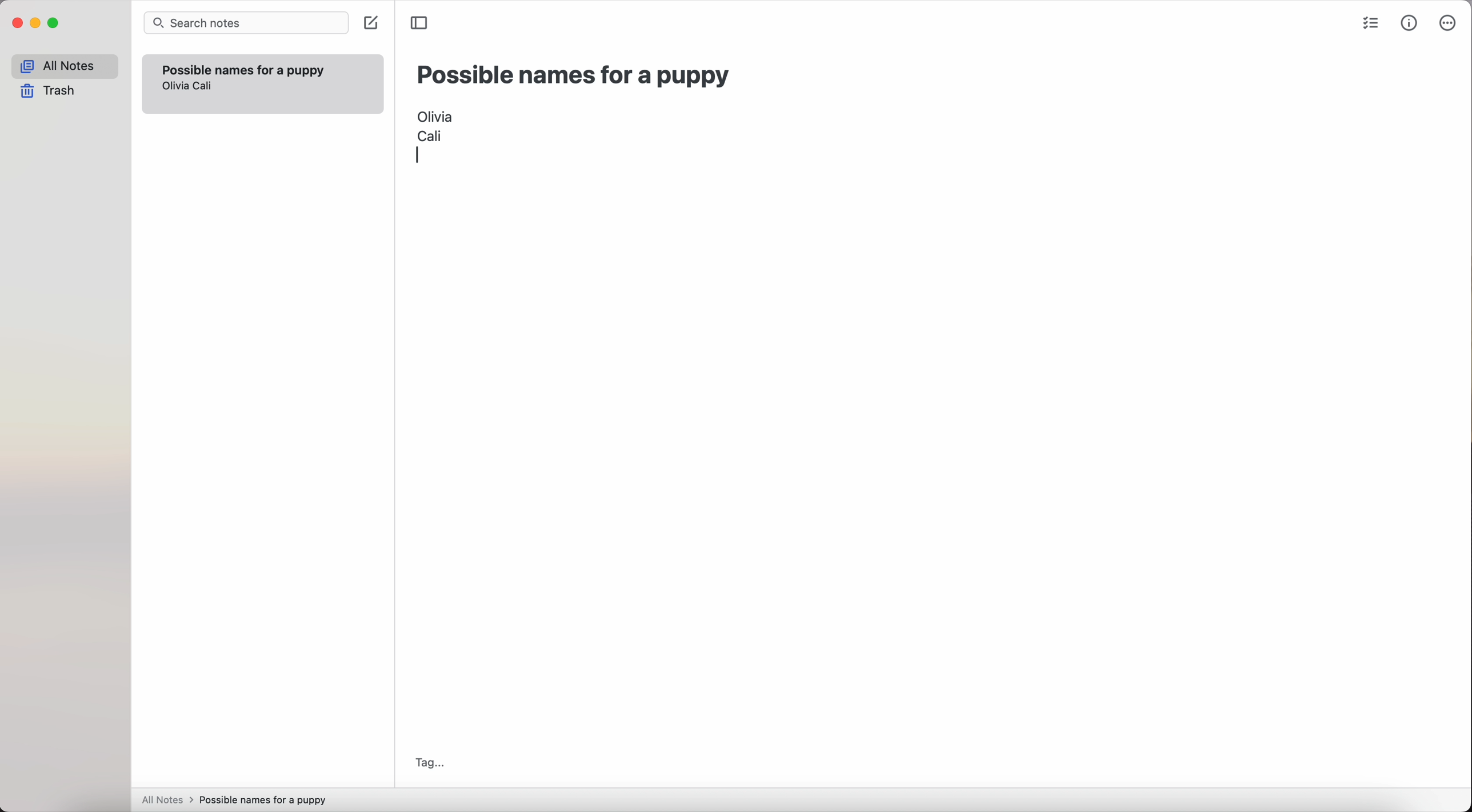  What do you see at coordinates (51, 91) in the screenshot?
I see `trash` at bounding box center [51, 91].